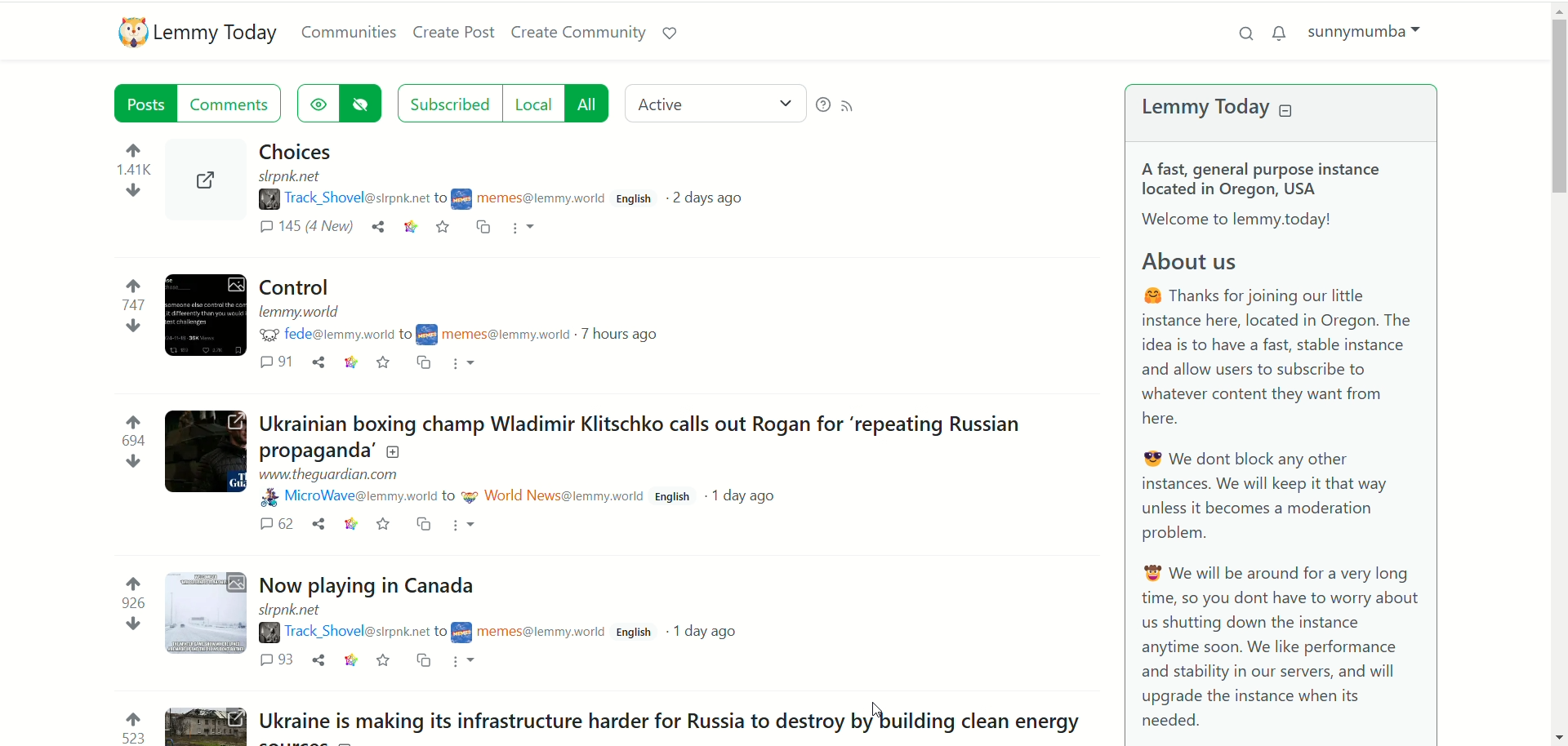  I want to click on Expand the post with the image, so click(206, 724).